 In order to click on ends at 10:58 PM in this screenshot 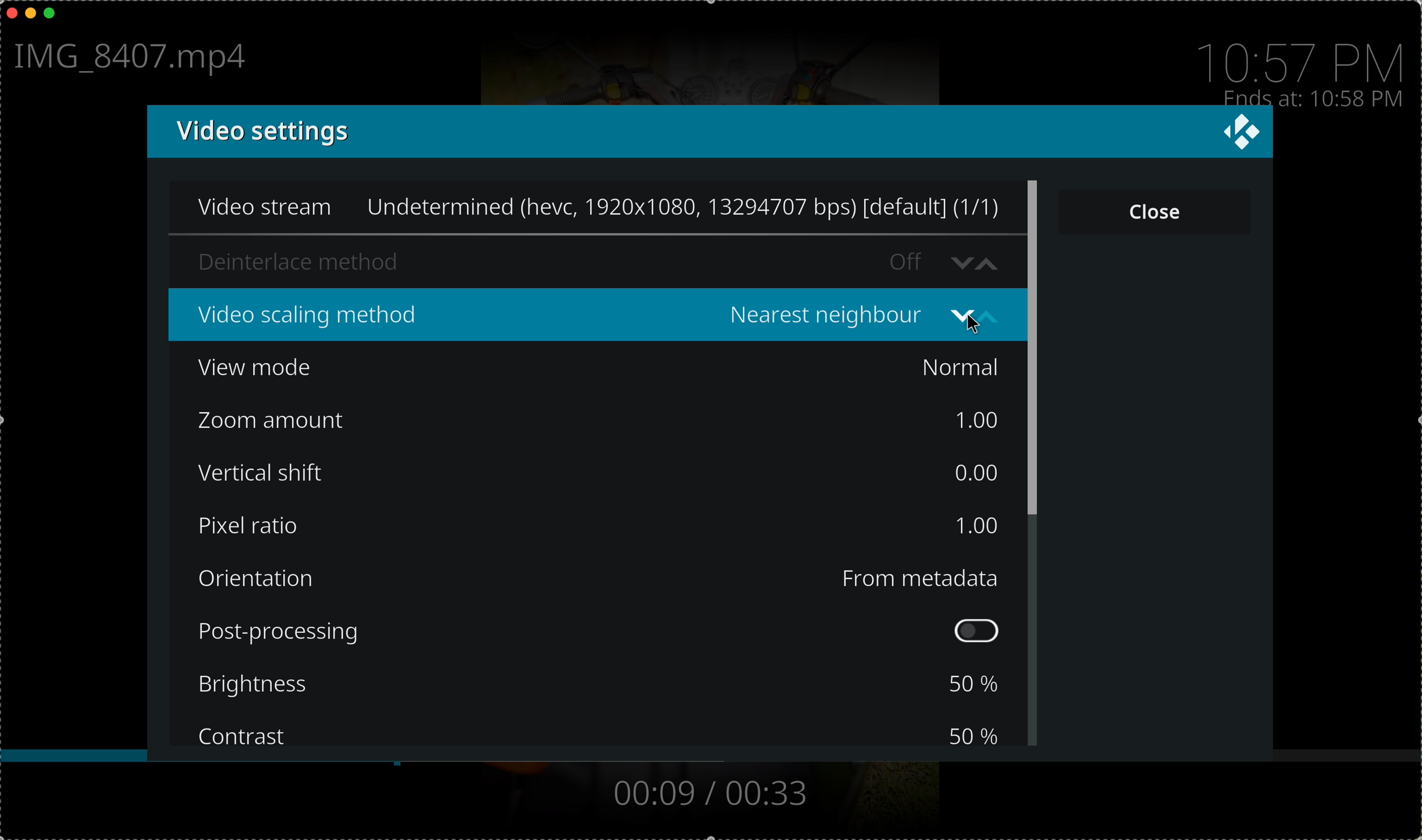, I will do `click(1313, 97)`.